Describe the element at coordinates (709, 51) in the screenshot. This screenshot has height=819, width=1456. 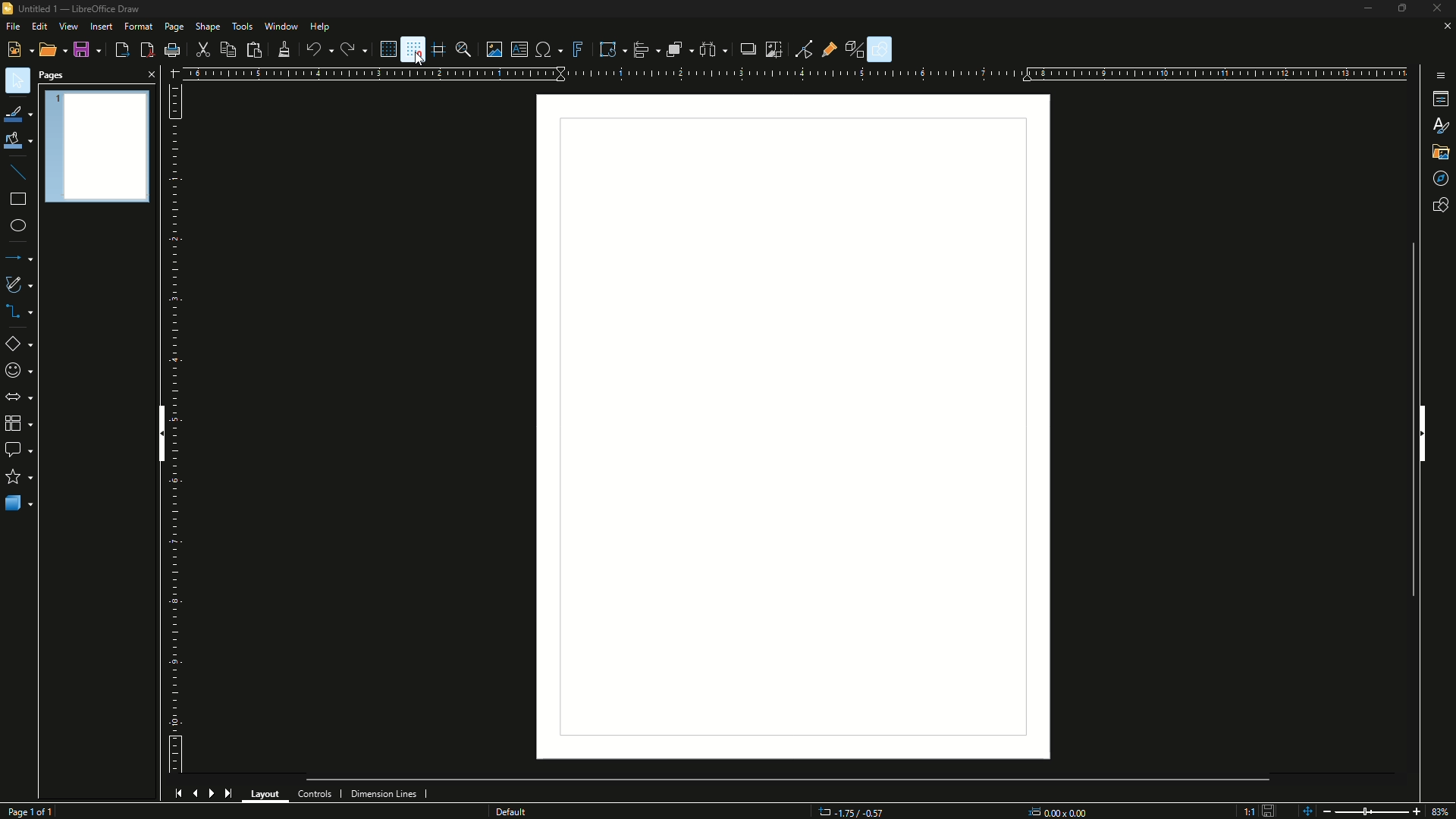
I see `Select three objects` at that location.